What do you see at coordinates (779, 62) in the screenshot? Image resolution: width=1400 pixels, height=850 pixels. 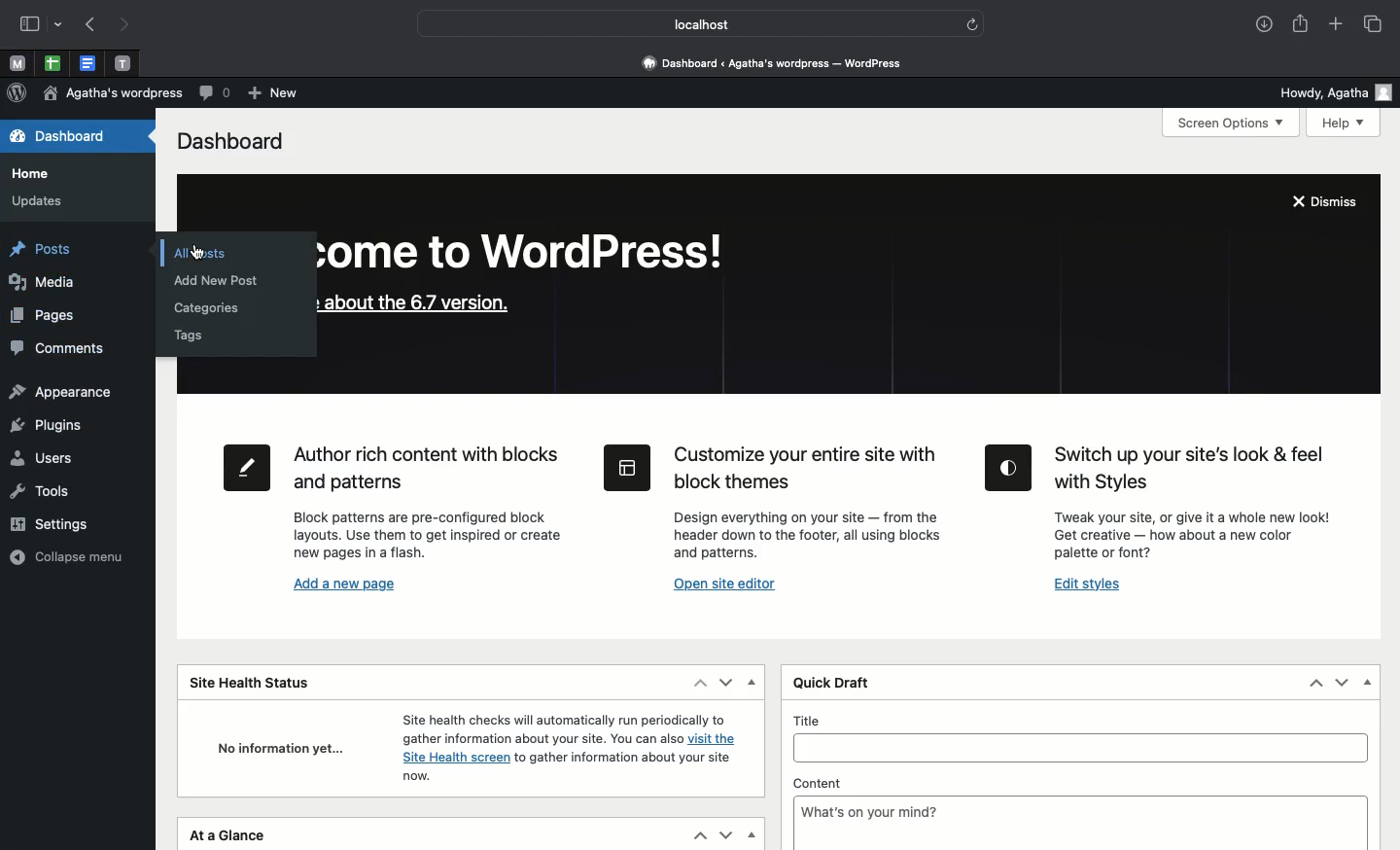 I see `Dashboard < Agatha's wordpress — WordPress` at bounding box center [779, 62].